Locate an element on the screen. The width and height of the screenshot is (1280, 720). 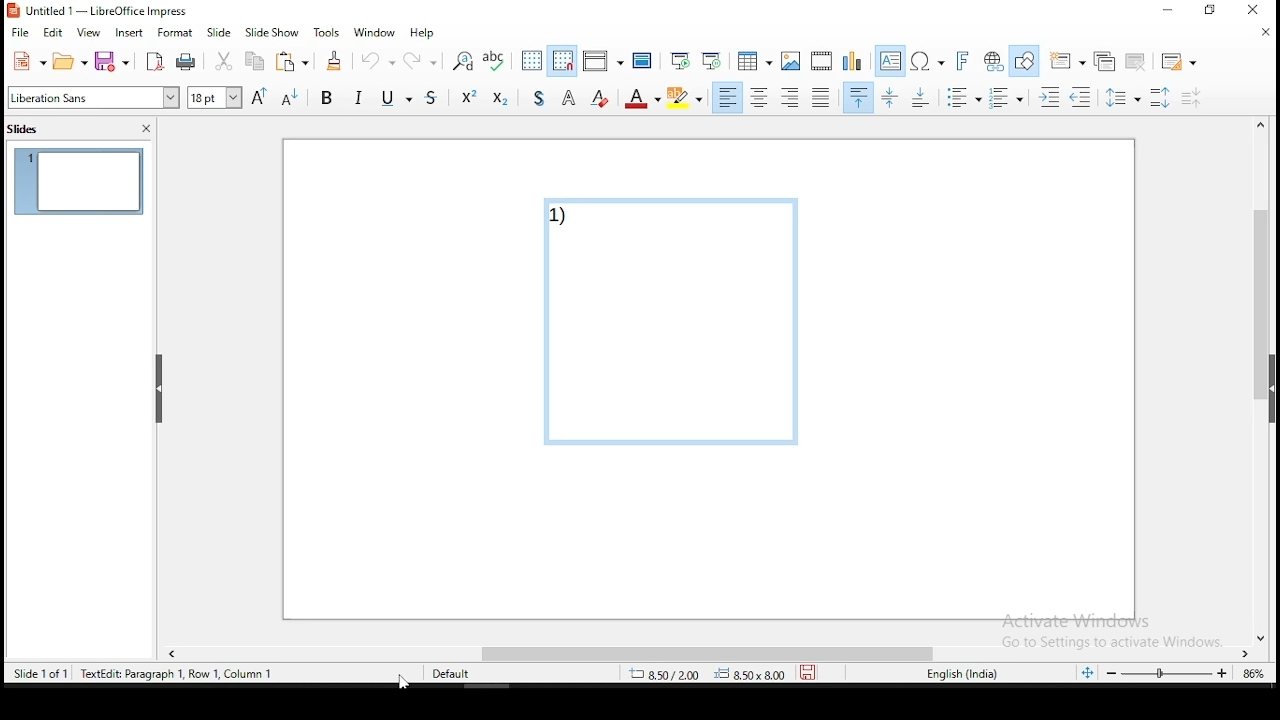
icon and filename is located at coordinates (104, 12).